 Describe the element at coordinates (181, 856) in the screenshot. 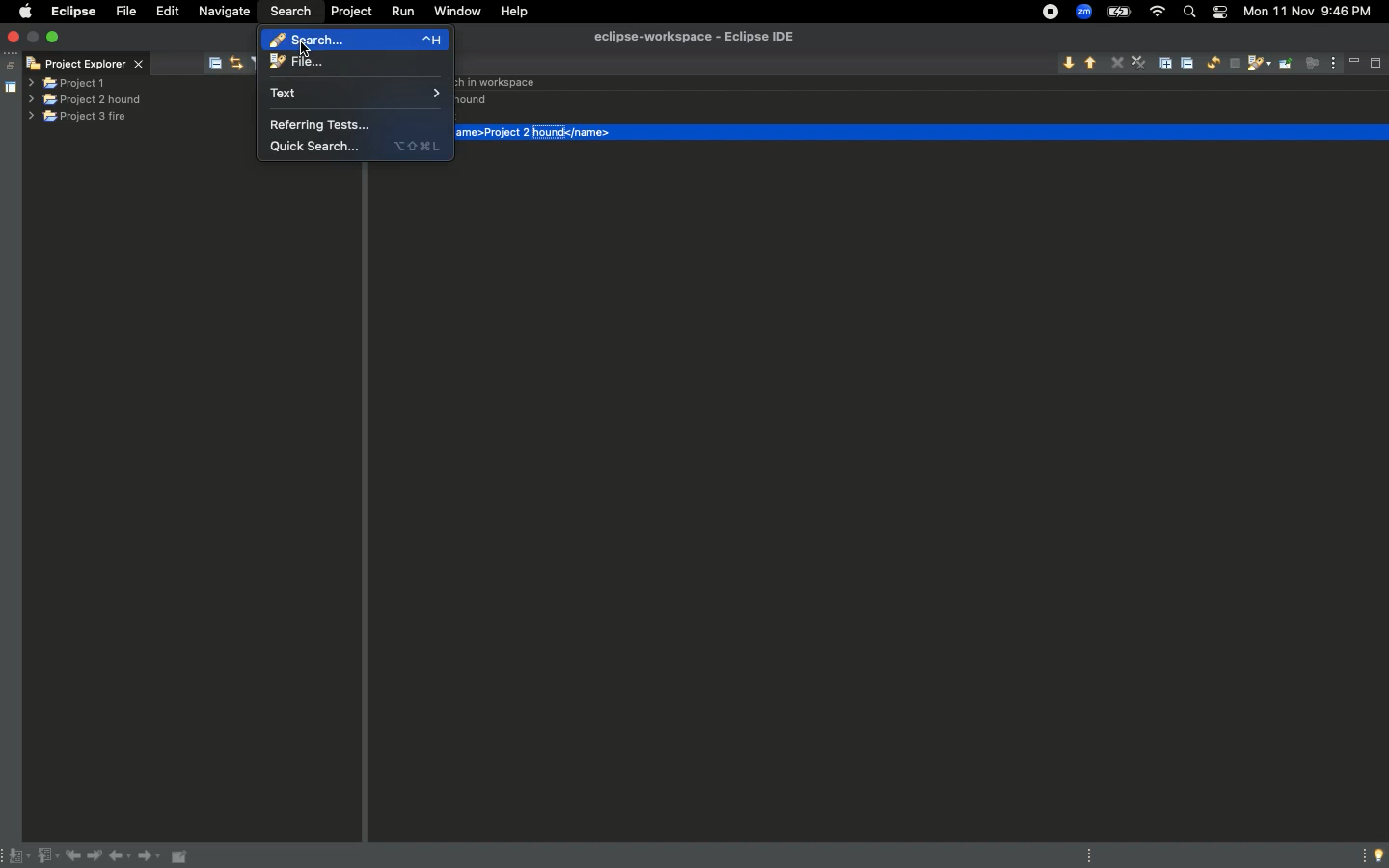

I see `Pin editor` at that location.